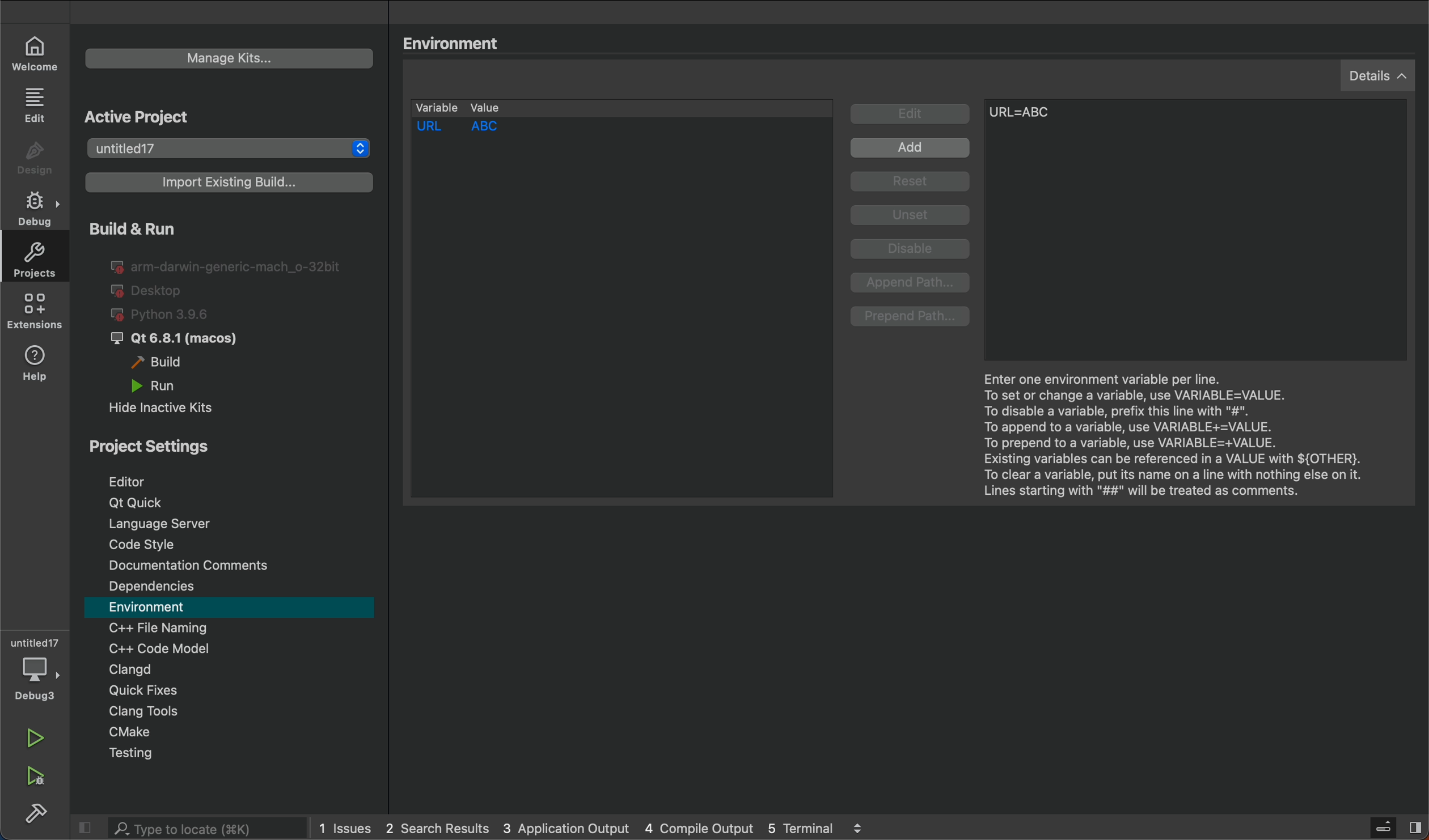 Image resolution: width=1429 pixels, height=840 pixels. I want to click on Enter one environment.., so click(1179, 429).